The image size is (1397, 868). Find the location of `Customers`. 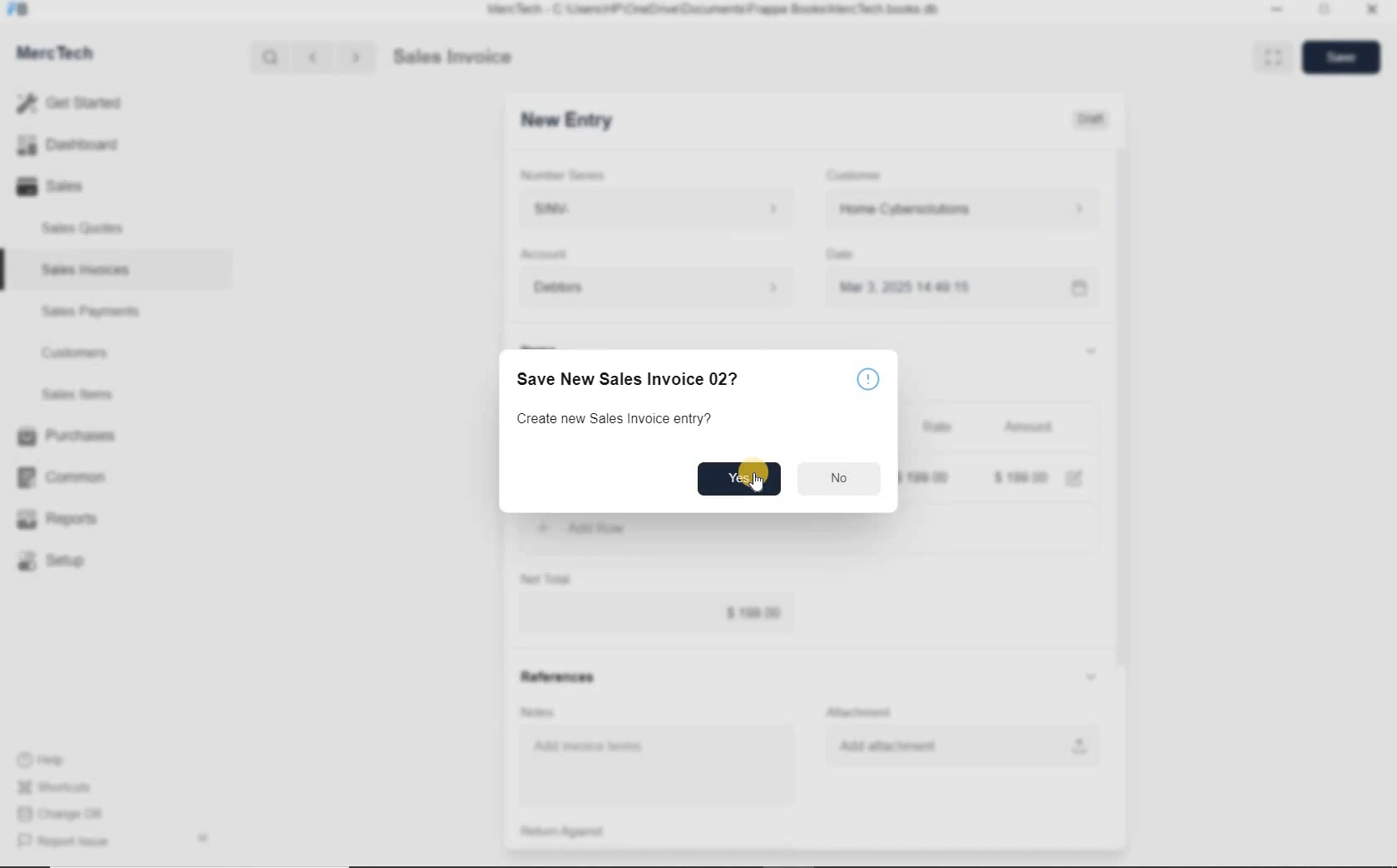

Customers is located at coordinates (90, 353).